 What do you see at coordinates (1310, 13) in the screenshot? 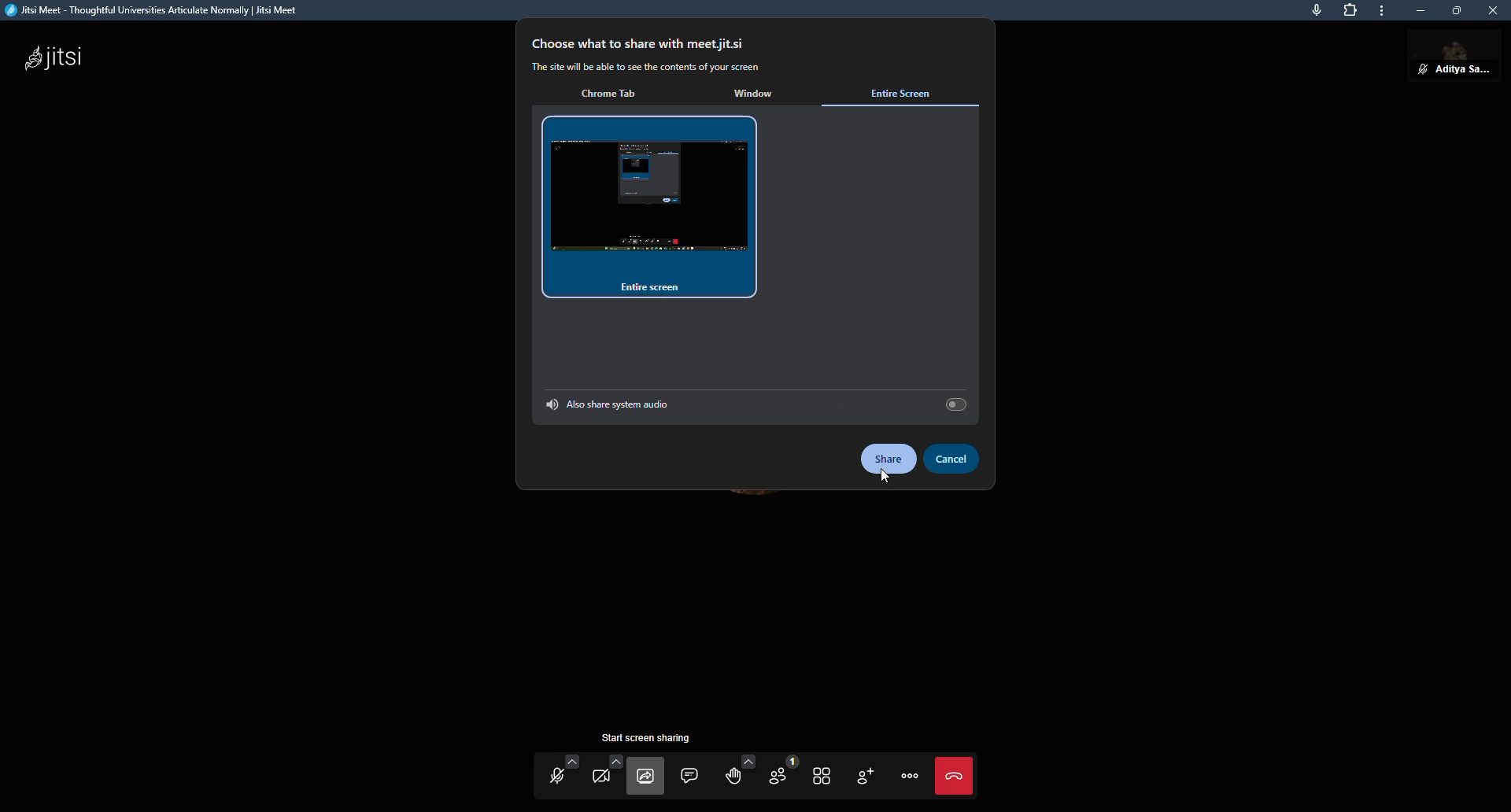
I see `microphone` at bounding box center [1310, 13].